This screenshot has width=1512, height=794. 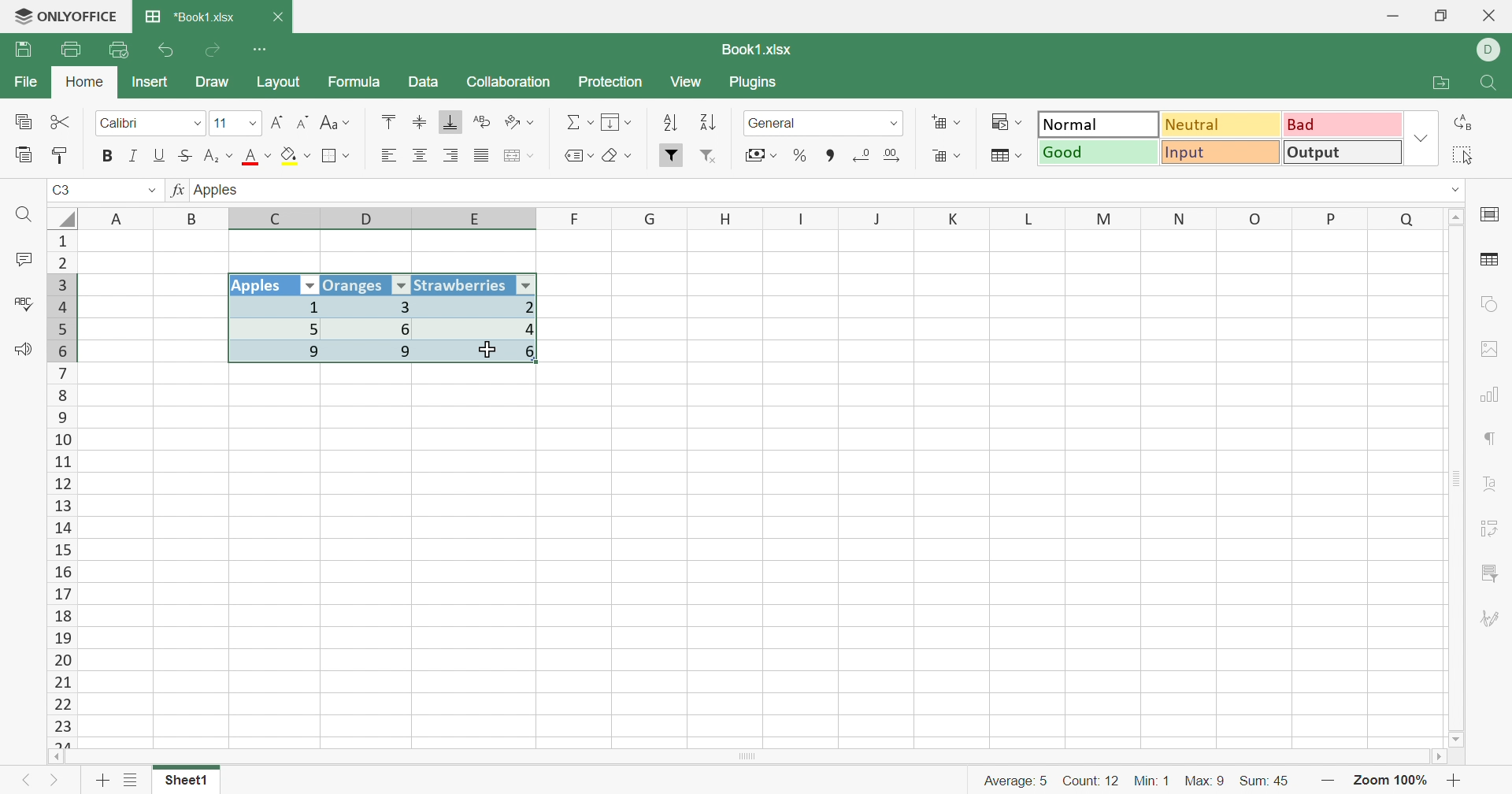 What do you see at coordinates (1104, 218) in the screenshot?
I see `M` at bounding box center [1104, 218].